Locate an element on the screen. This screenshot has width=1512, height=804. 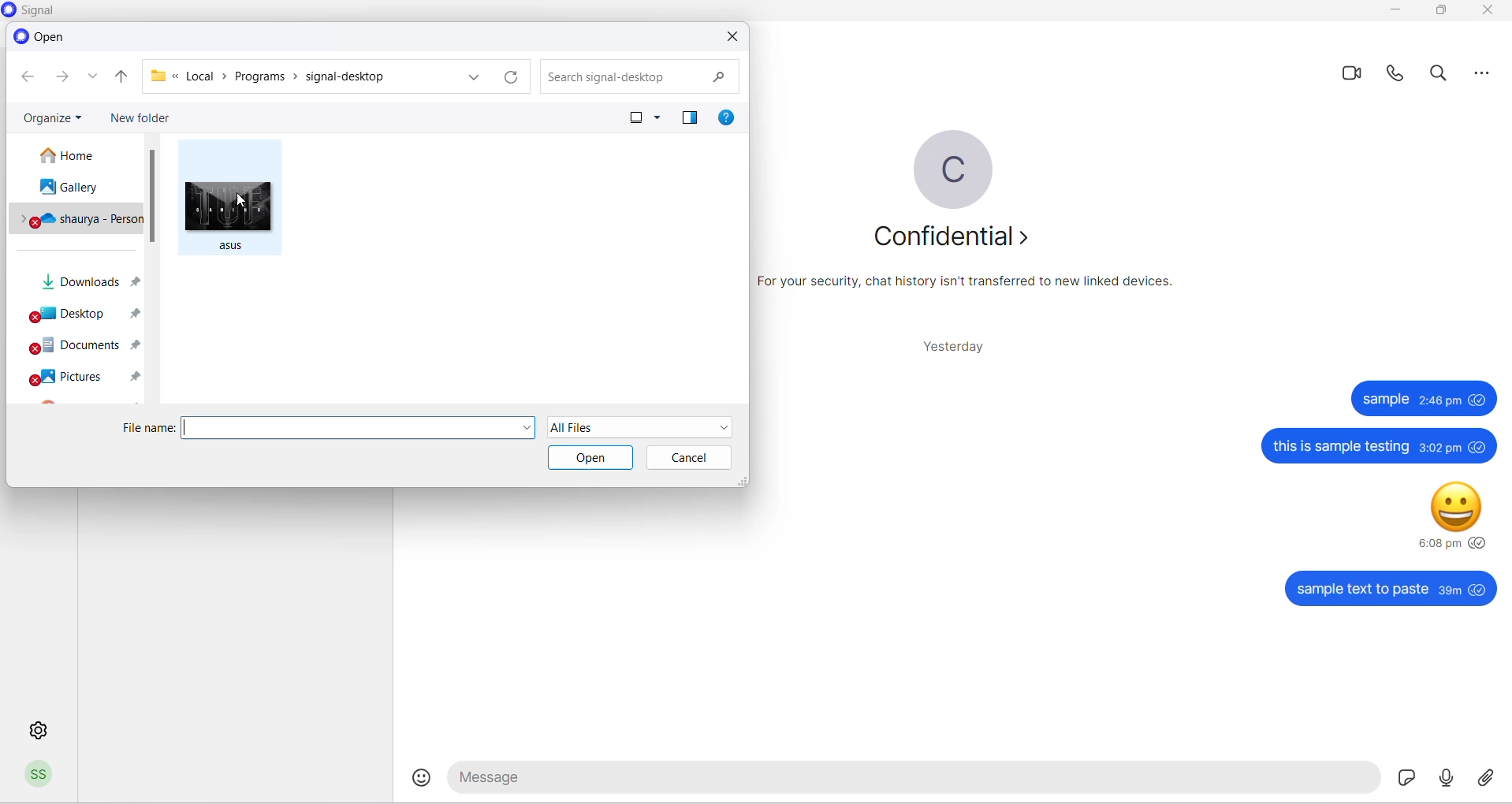
downloads is located at coordinates (83, 285).